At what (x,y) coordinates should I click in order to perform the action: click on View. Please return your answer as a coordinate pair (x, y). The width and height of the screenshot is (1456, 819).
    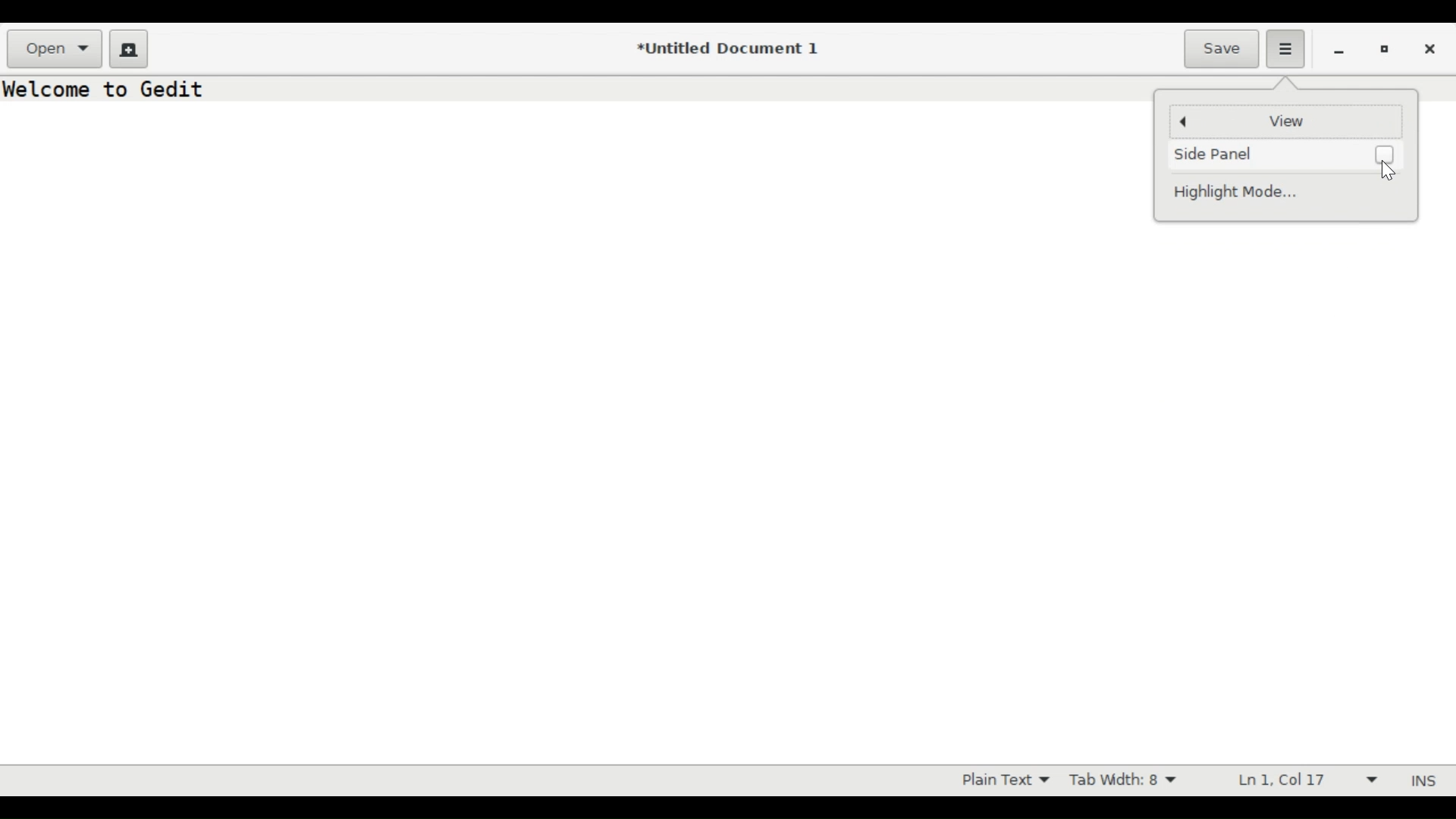
    Looking at the image, I should click on (1284, 121).